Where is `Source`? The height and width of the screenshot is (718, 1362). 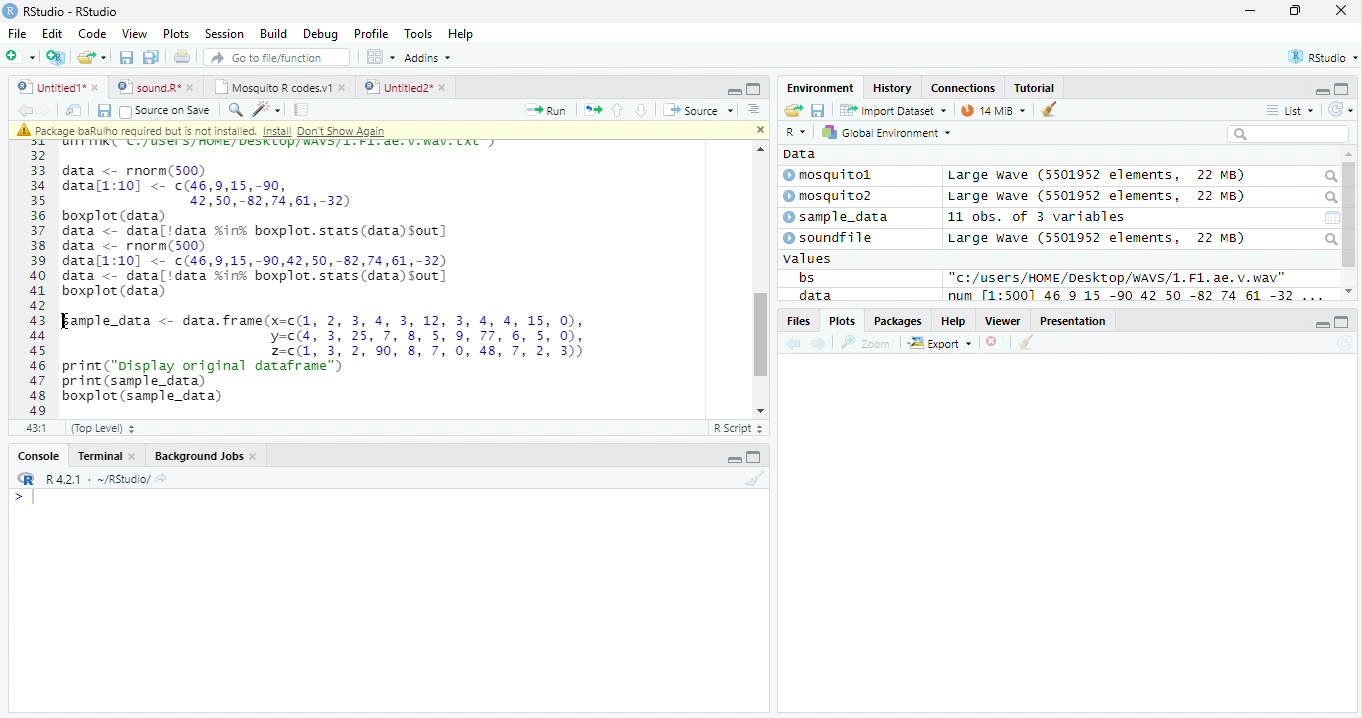
Source is located at coordinates (700, 109).